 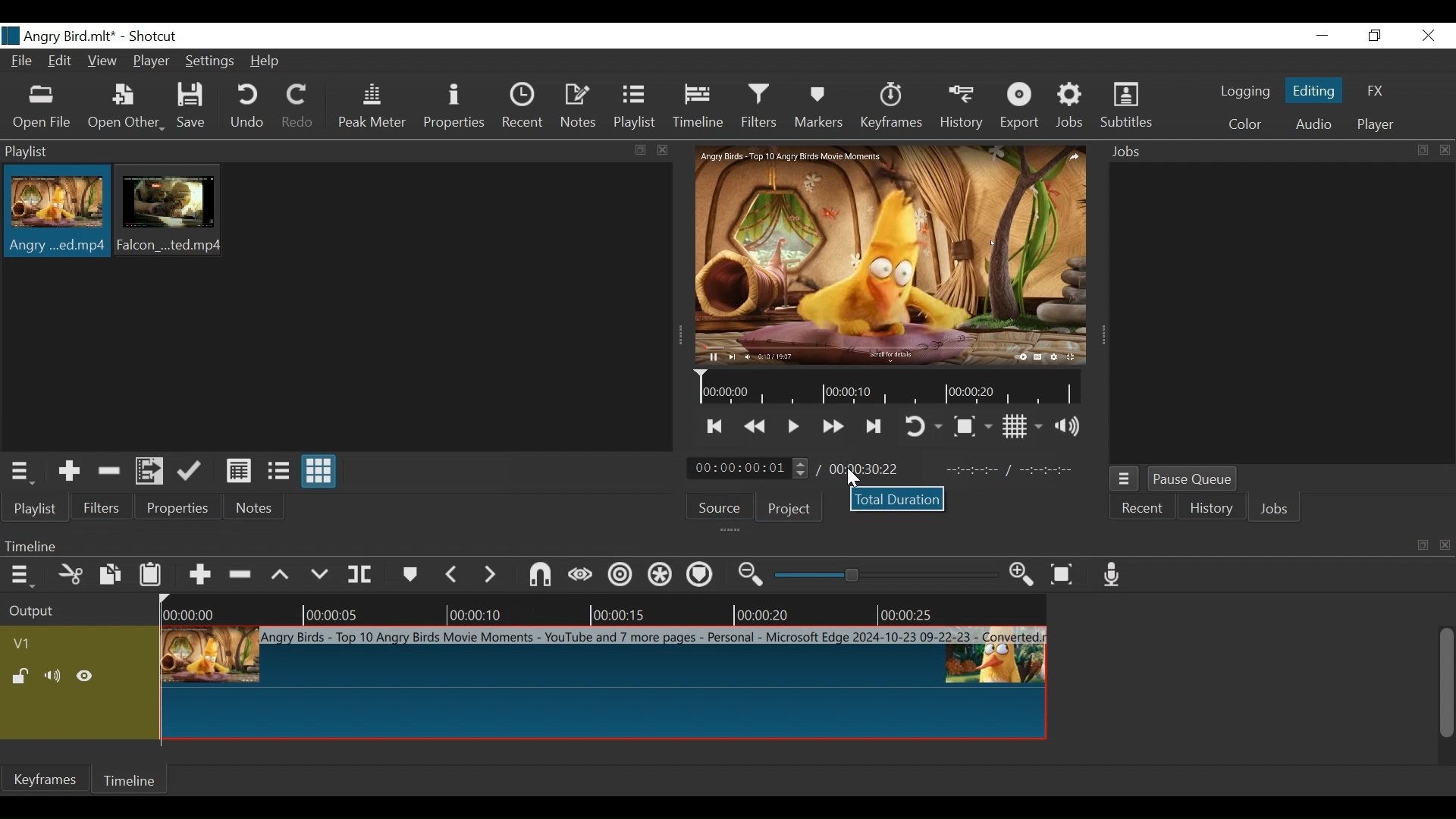 What do you see at coordinates (154, 576) in the screenshot?
I see `Paste` at bounding box center [154, 576].